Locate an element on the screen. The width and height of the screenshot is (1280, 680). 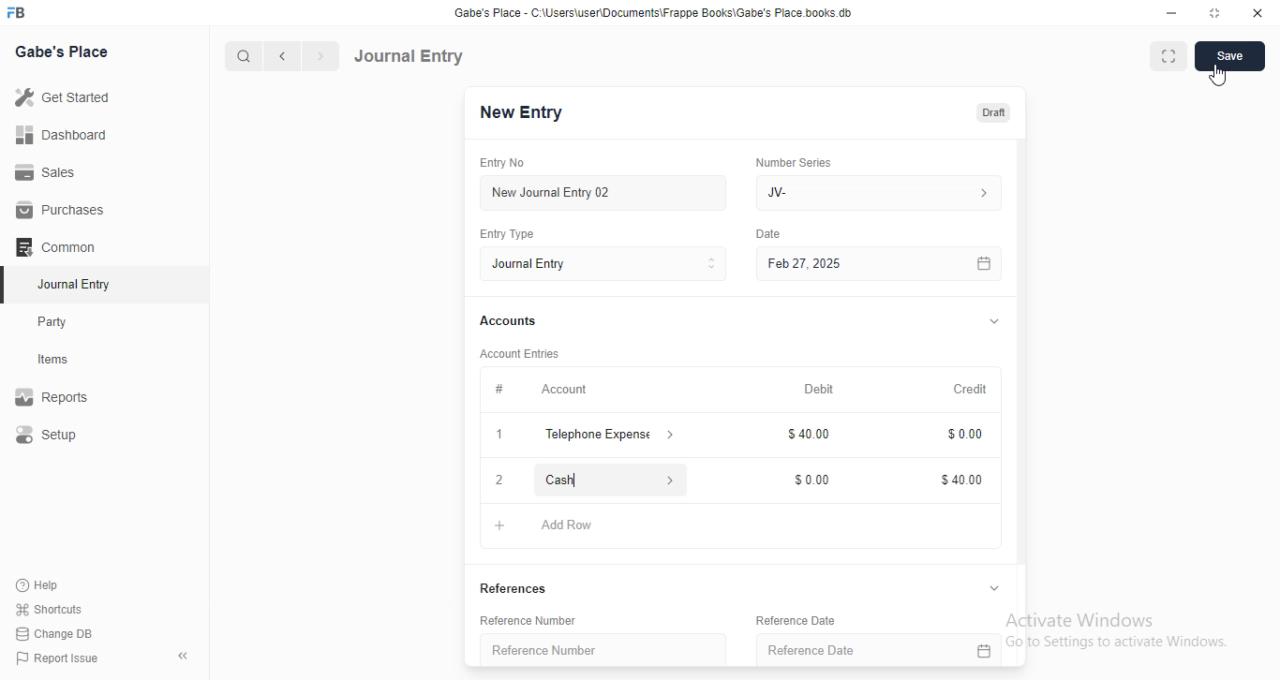
Full screen is located at coordinates (1212, 13).